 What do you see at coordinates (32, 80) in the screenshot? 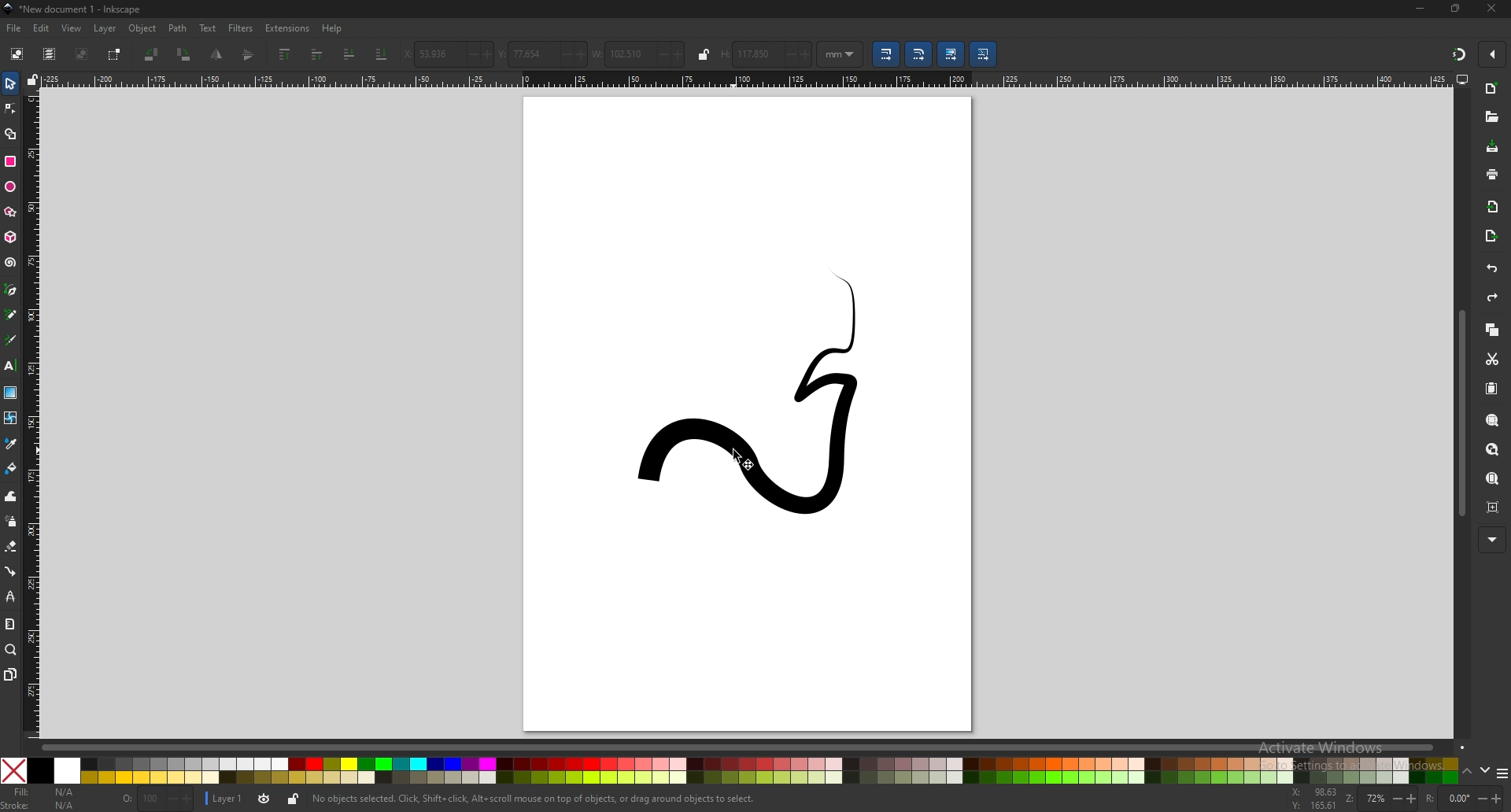
I see `lock guides` at bounding box center [32, 80].